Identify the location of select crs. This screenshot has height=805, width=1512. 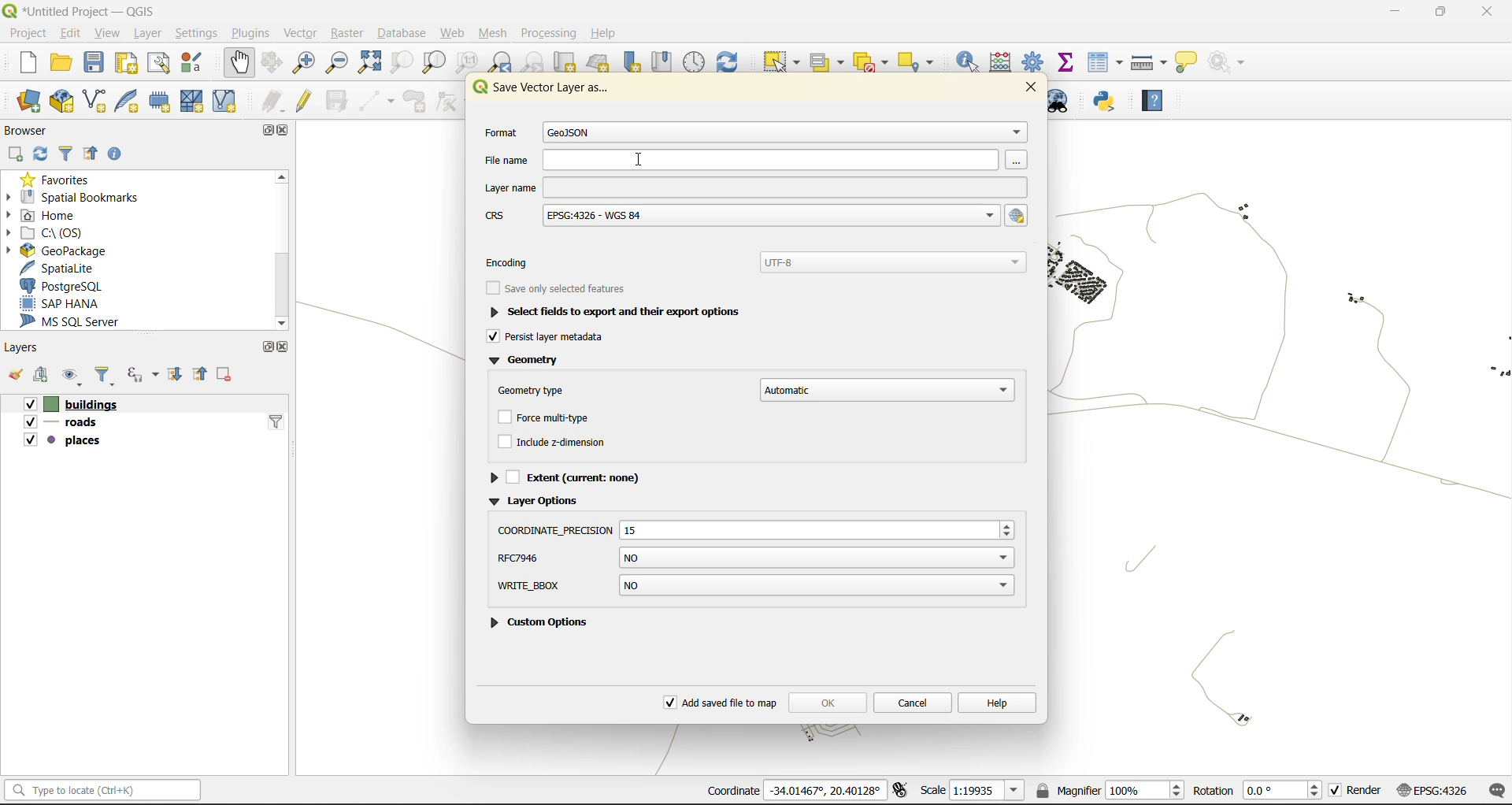
(1018, 216).